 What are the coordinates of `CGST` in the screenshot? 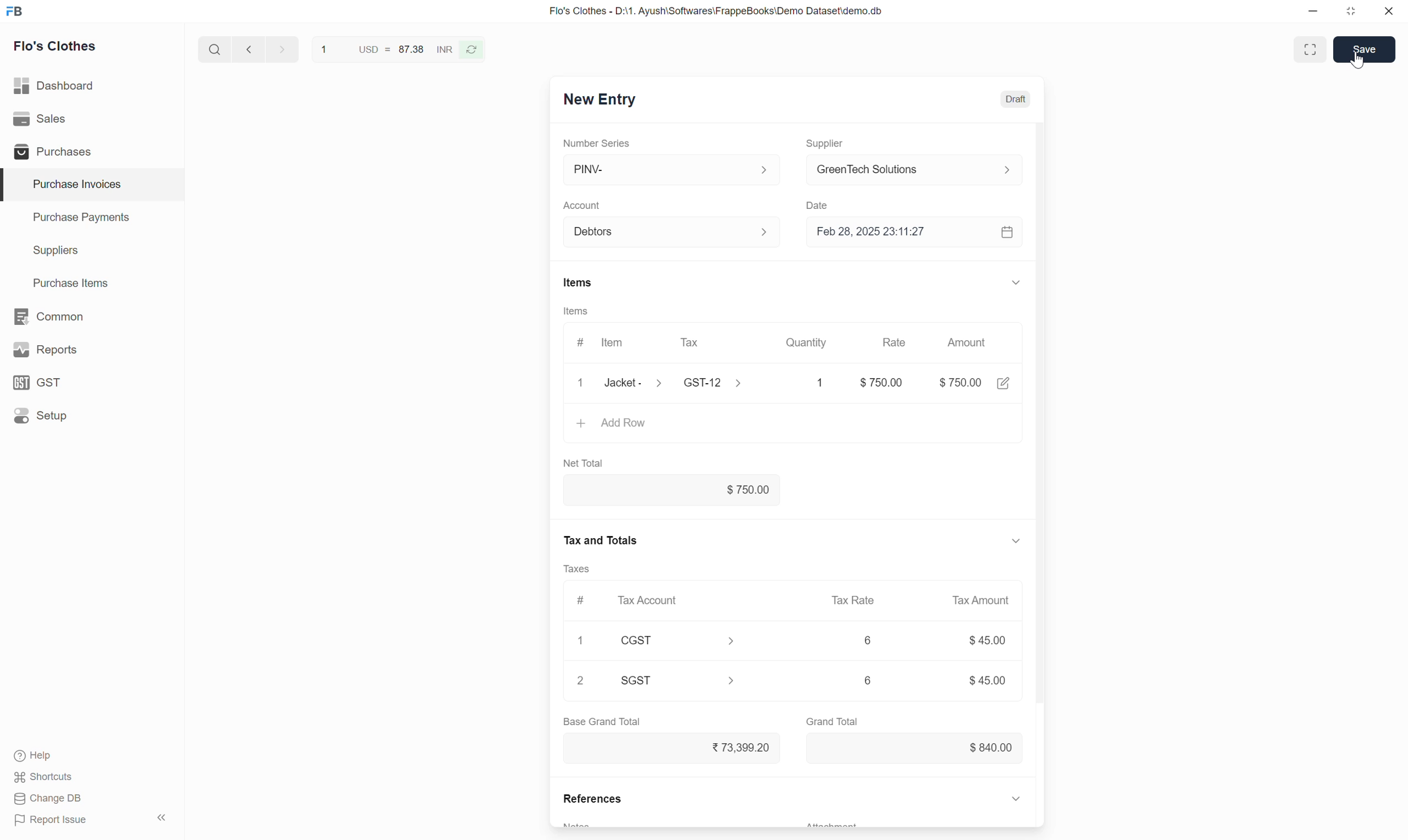 It's located at (678, 640).